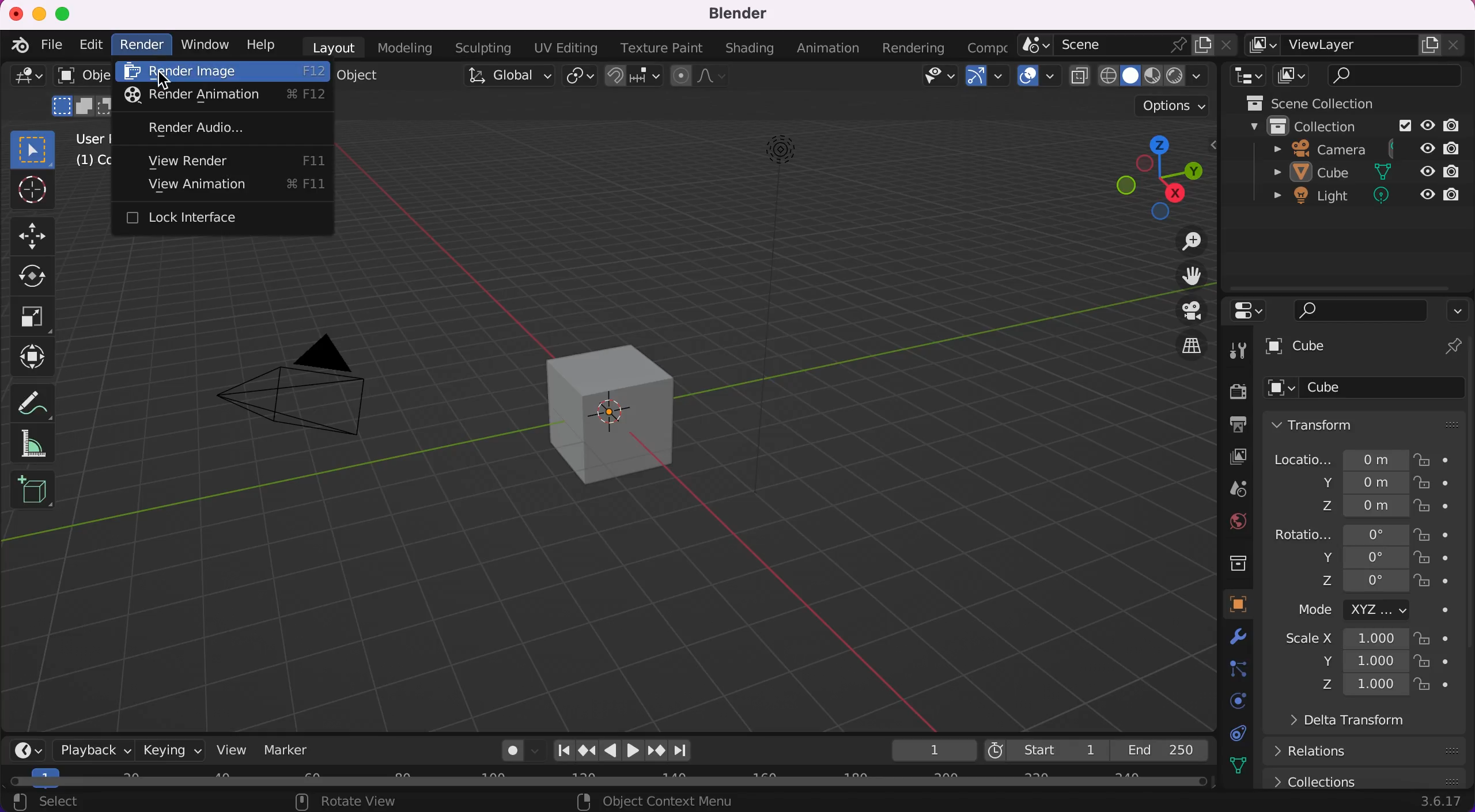 Image resolution: width=1475 pixels, height=812 pixels. I want to click on physics, so click(1230, 702).